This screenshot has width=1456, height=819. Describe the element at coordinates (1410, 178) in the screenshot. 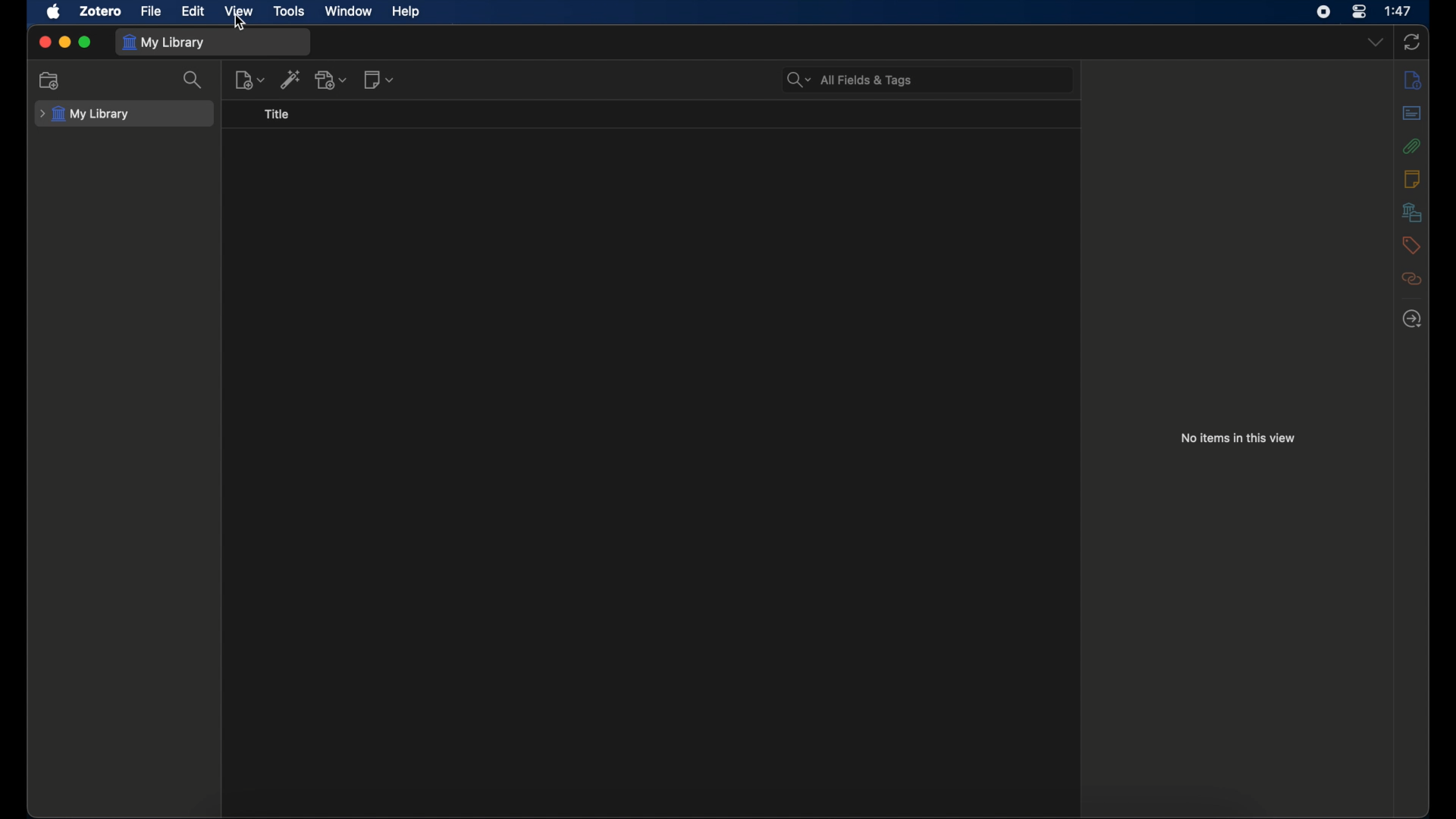

I see `notes` at that location.